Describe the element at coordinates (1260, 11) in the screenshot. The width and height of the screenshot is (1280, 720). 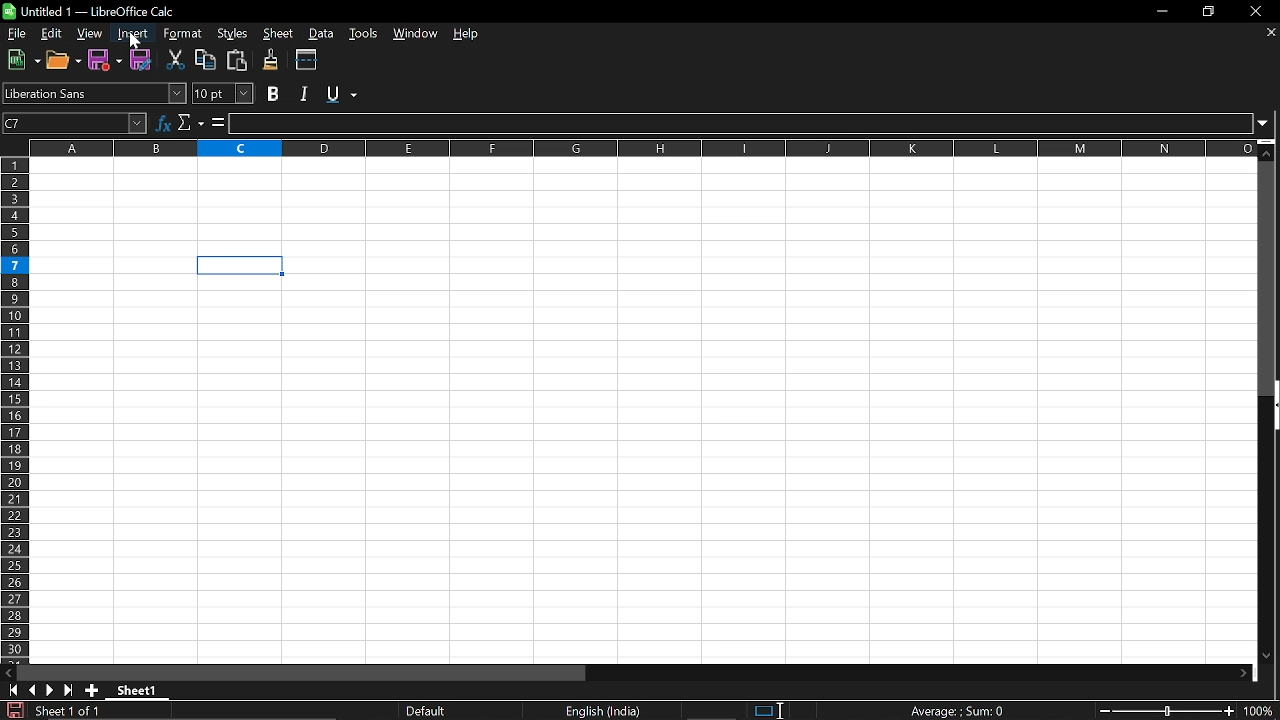
I see `Close ` at that location.